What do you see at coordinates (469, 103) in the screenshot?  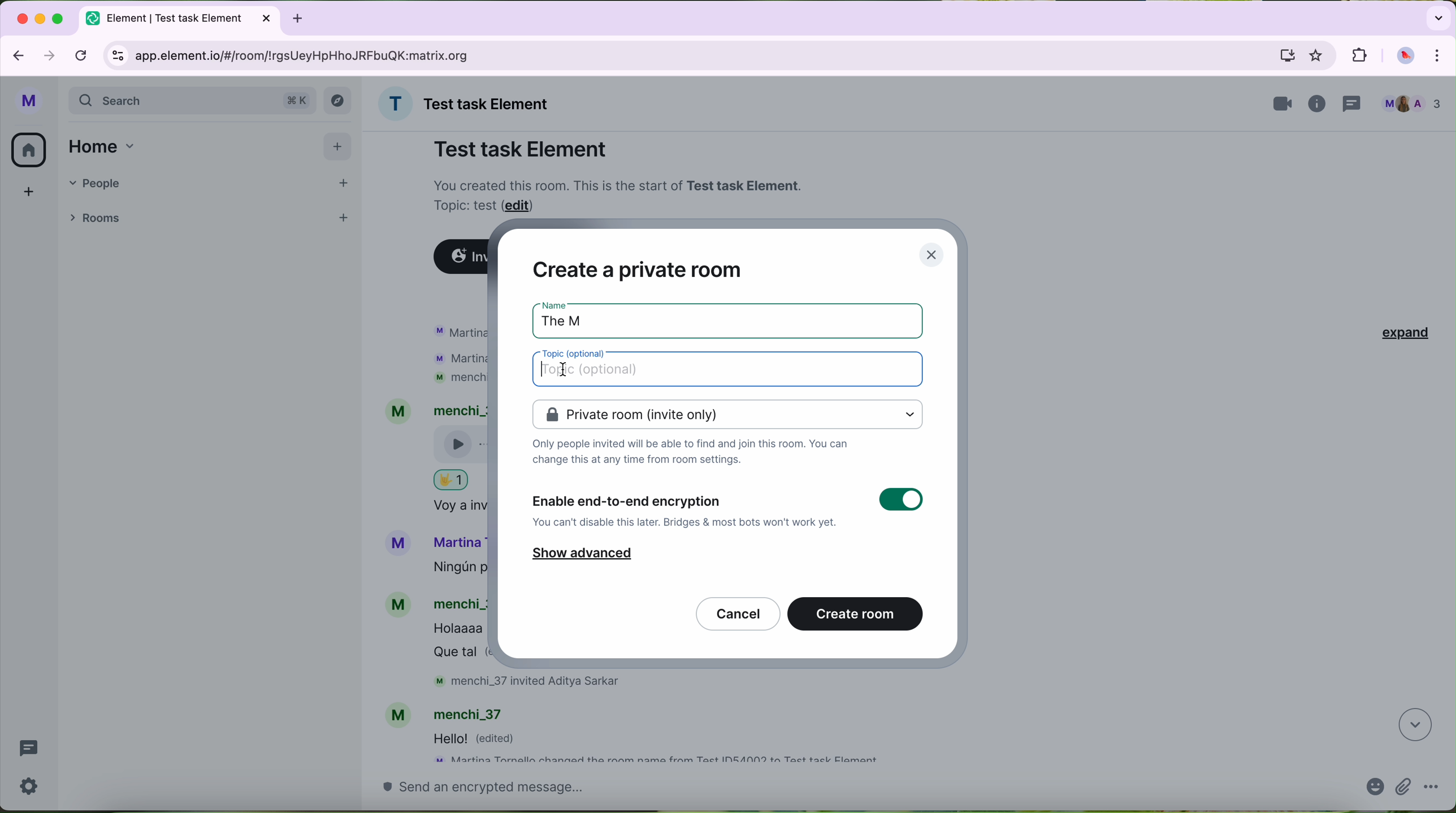 I see `name` at bounding box center [469, 103].